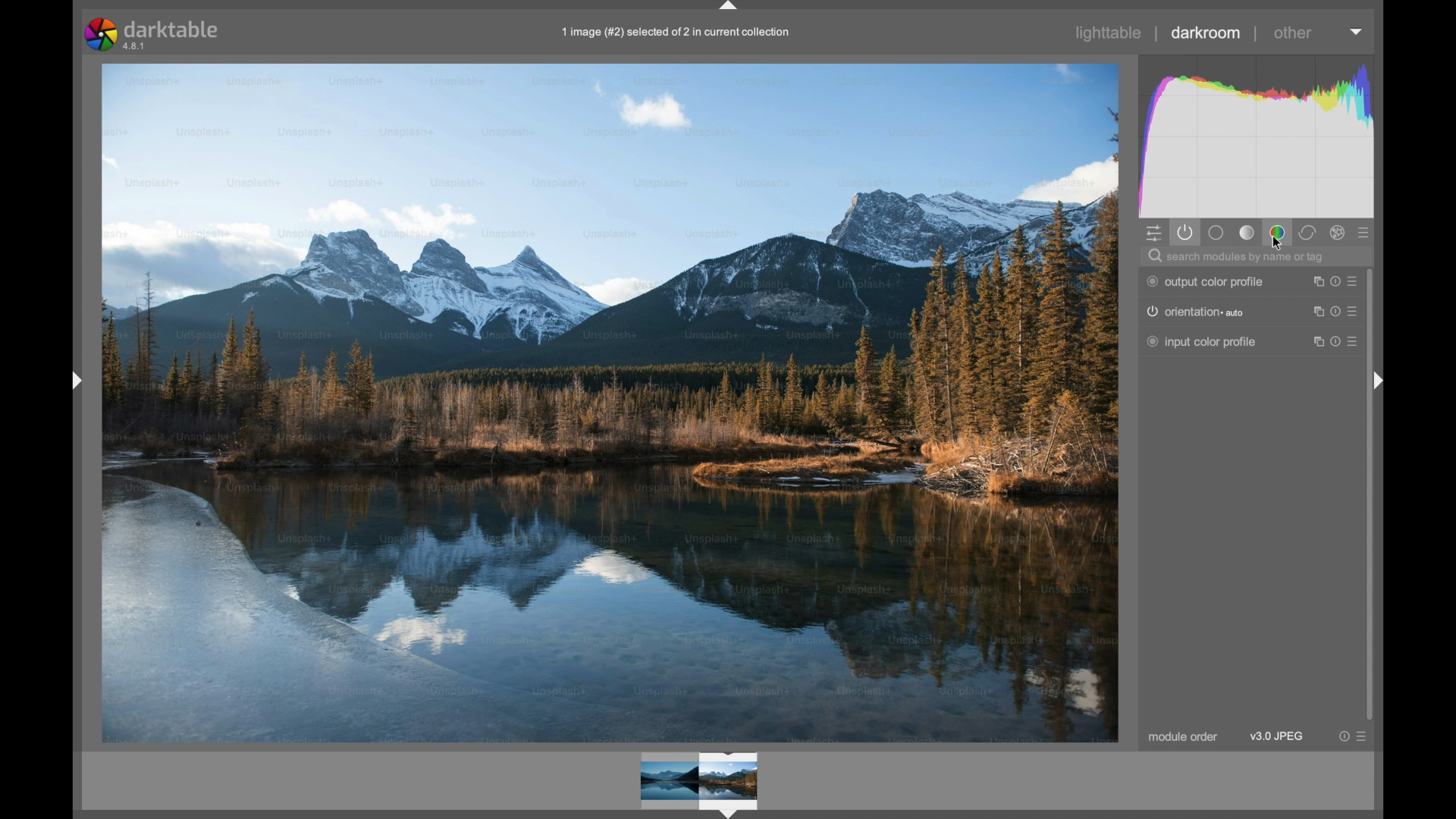 The width and height of the screenshot is (1456, 819). What do you see at coordinates (74, 381) in the screenshot?
I see `drag handle` at bounding box center [74, 381].